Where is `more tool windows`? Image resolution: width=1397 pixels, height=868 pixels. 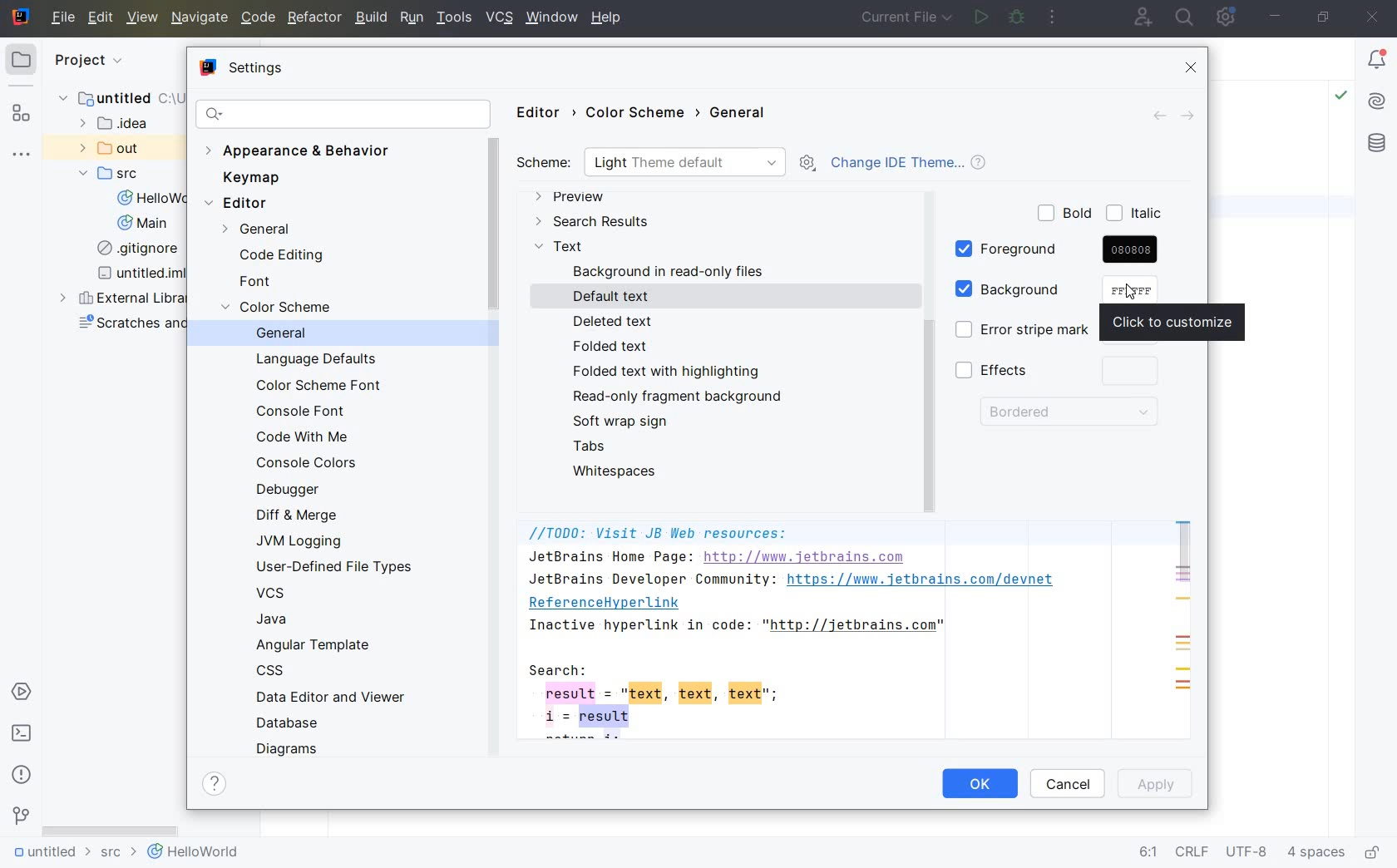
more tool windows is located at coordinates (24, 155).